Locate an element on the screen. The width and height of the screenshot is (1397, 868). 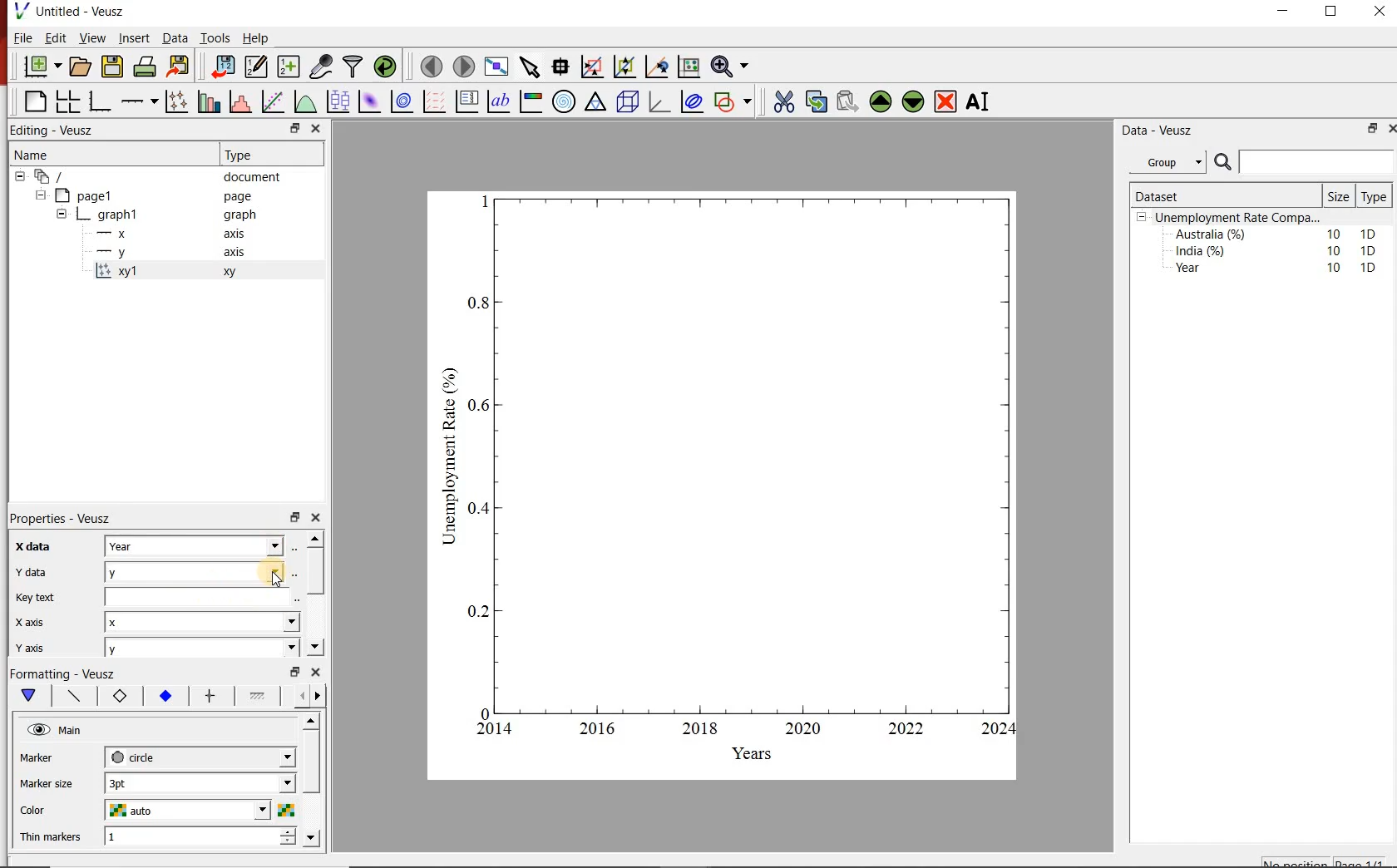
error bar line is located at coordinates (211, 696).